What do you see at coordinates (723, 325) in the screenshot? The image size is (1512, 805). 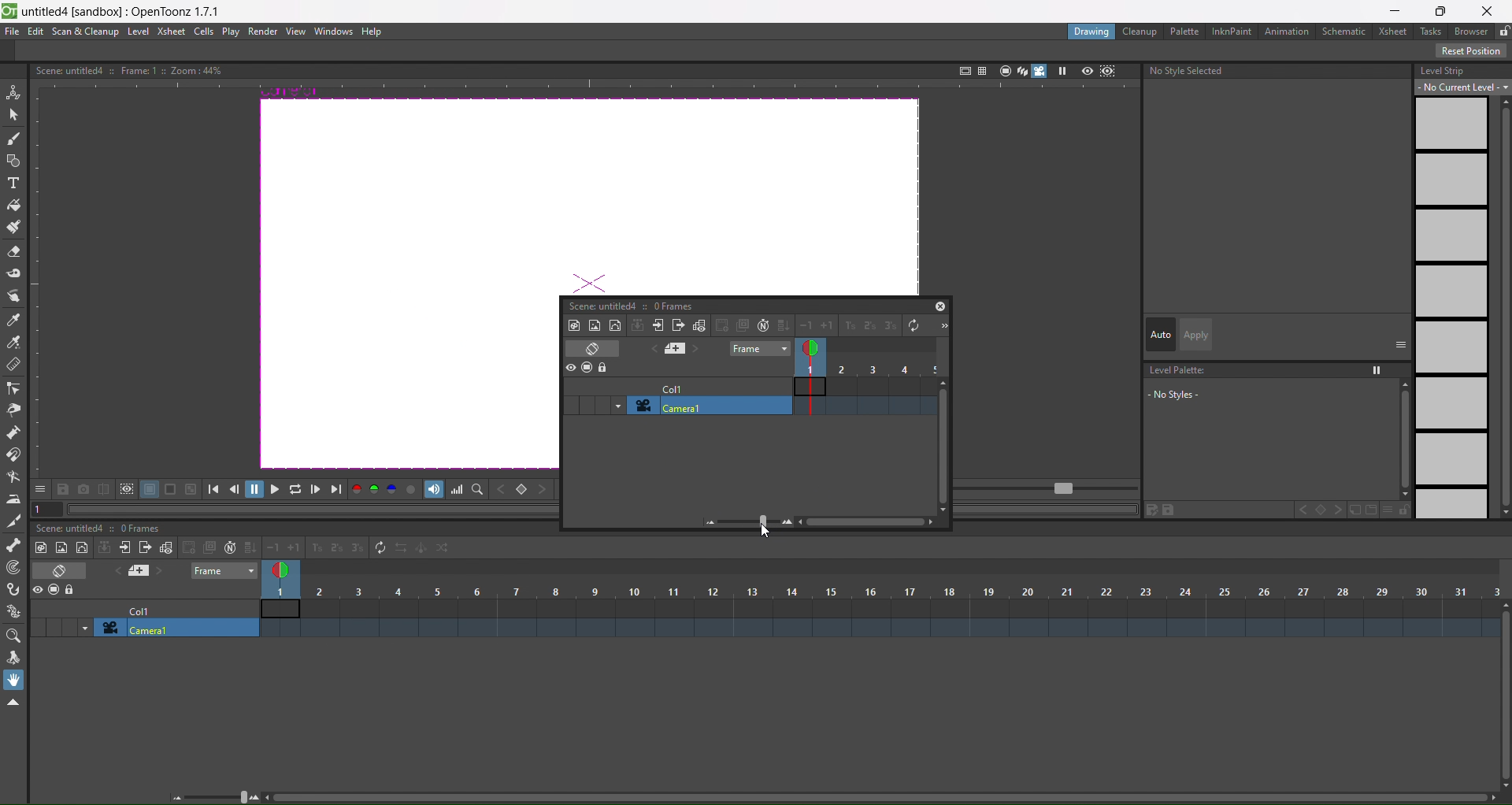 I see `` at bounding box center [723, 325].